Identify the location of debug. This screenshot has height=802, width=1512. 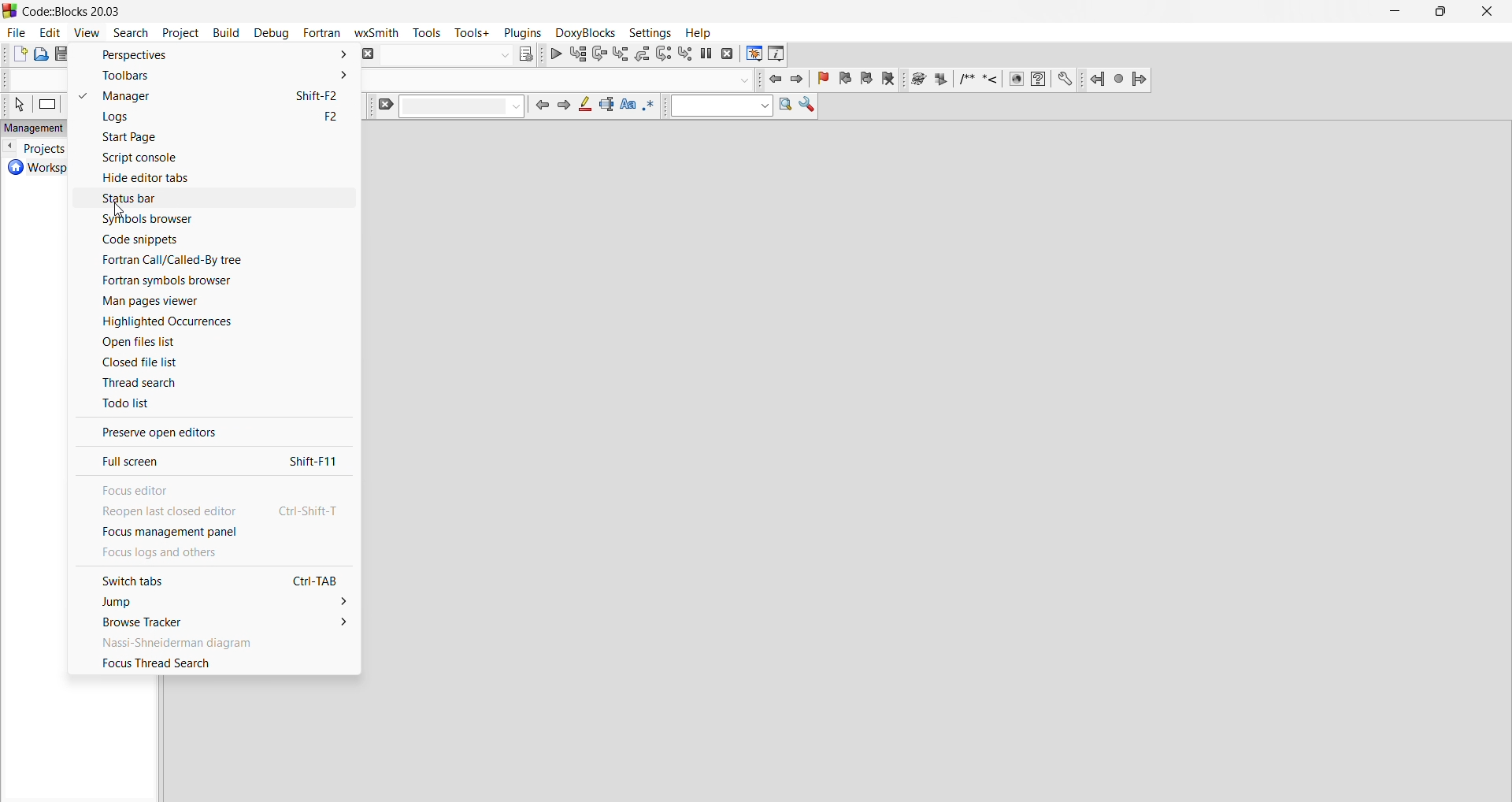
(271, 33).